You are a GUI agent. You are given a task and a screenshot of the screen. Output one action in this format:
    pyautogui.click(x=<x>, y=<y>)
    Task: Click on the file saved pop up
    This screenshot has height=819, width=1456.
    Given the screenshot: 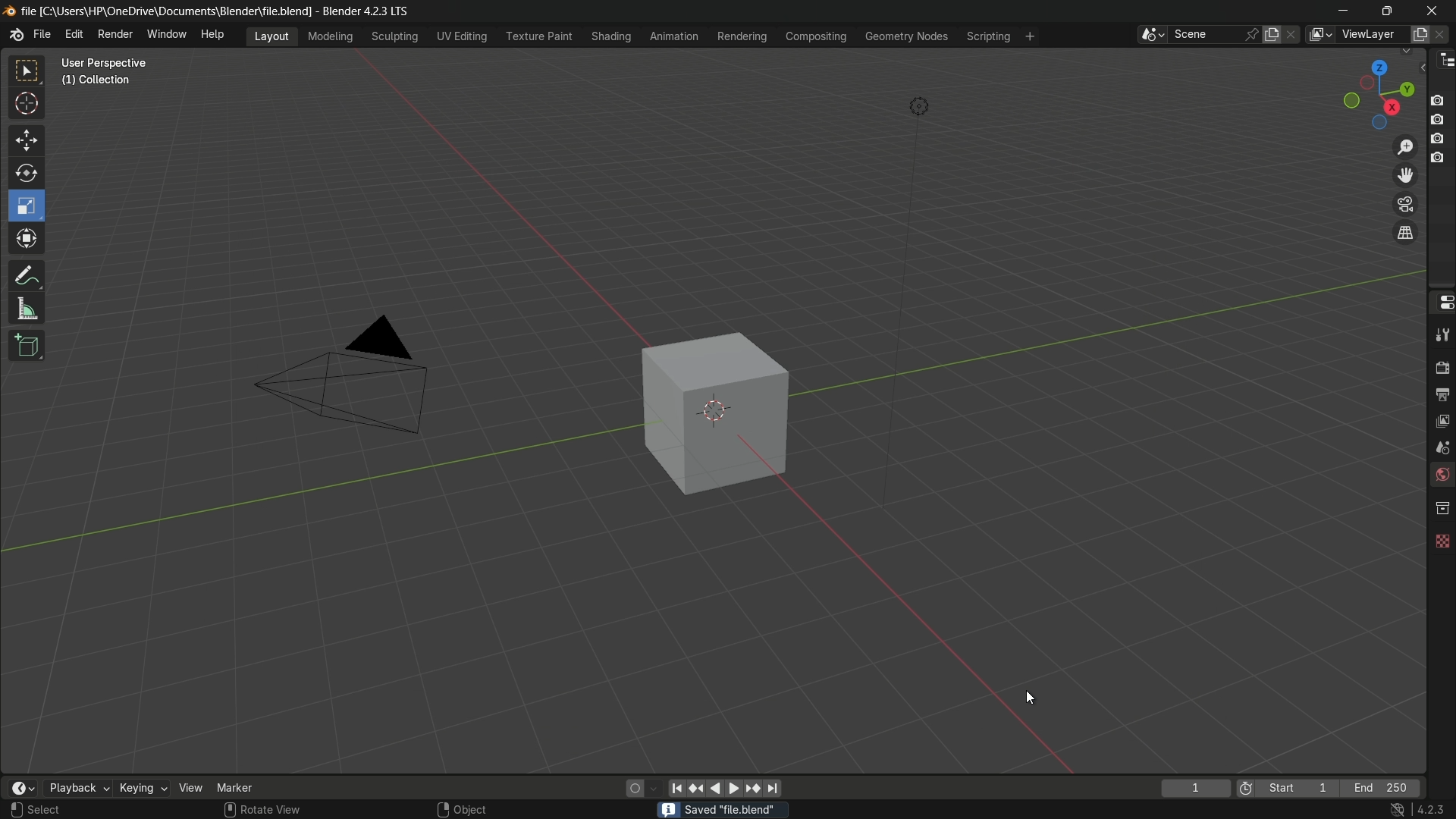 What is the action you would take?
    pyautogui.click(x=720, y=809)
    